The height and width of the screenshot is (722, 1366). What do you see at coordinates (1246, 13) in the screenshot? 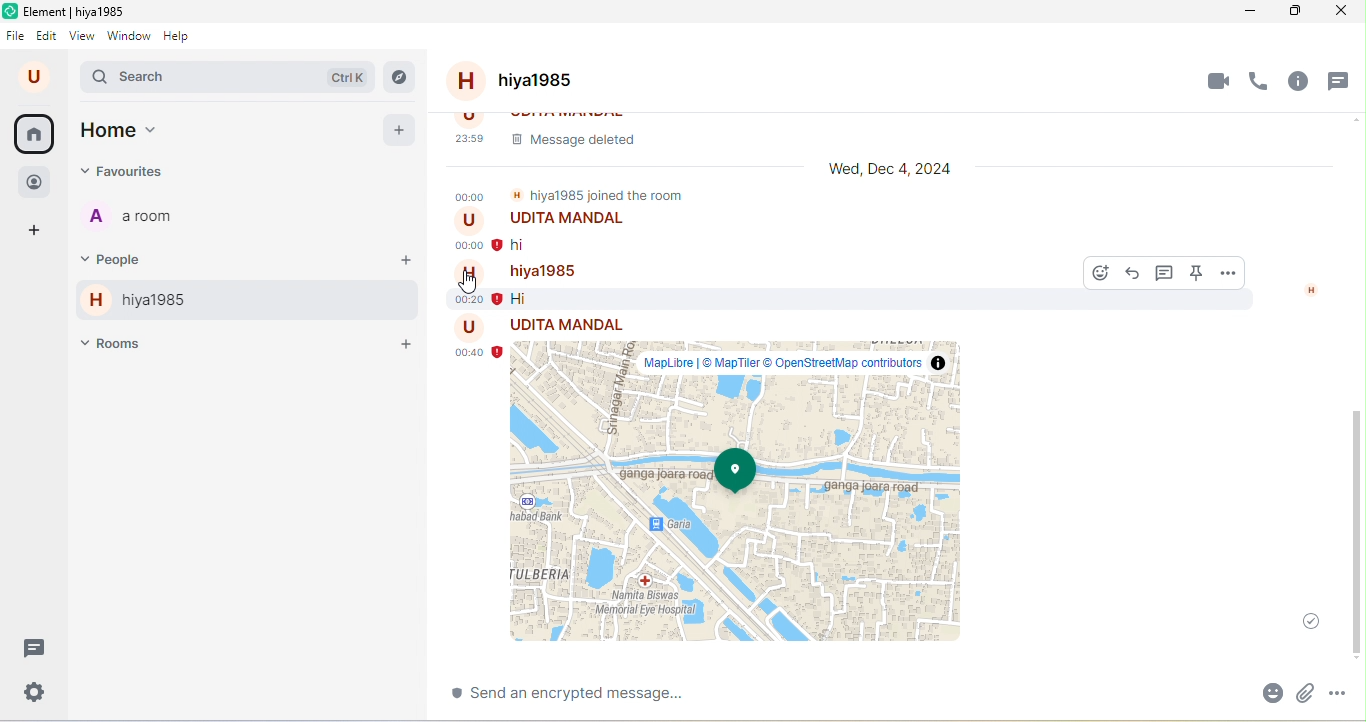
I see `minimize` at bounding box center [1246, 13].